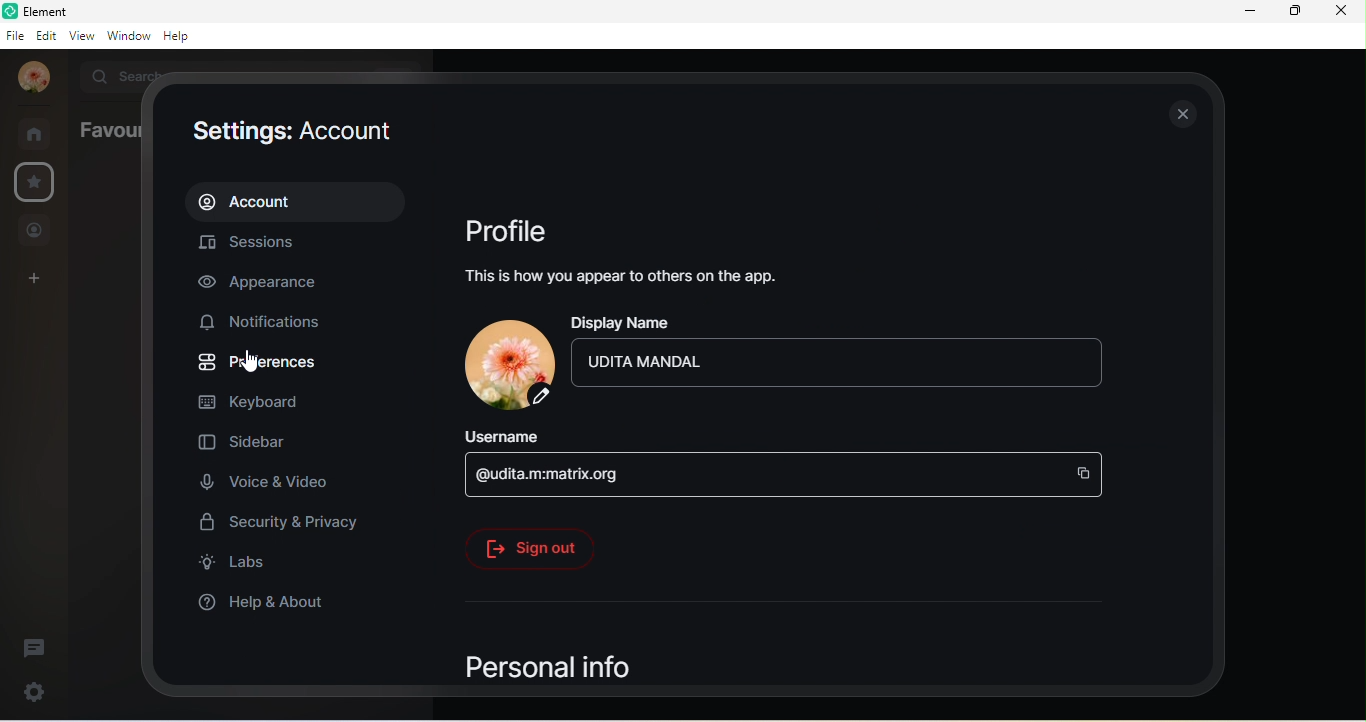 The image size is (1366, 722). Describe the element at coordinates (35, 133) in the screenshot. I see `rooms` at that location.